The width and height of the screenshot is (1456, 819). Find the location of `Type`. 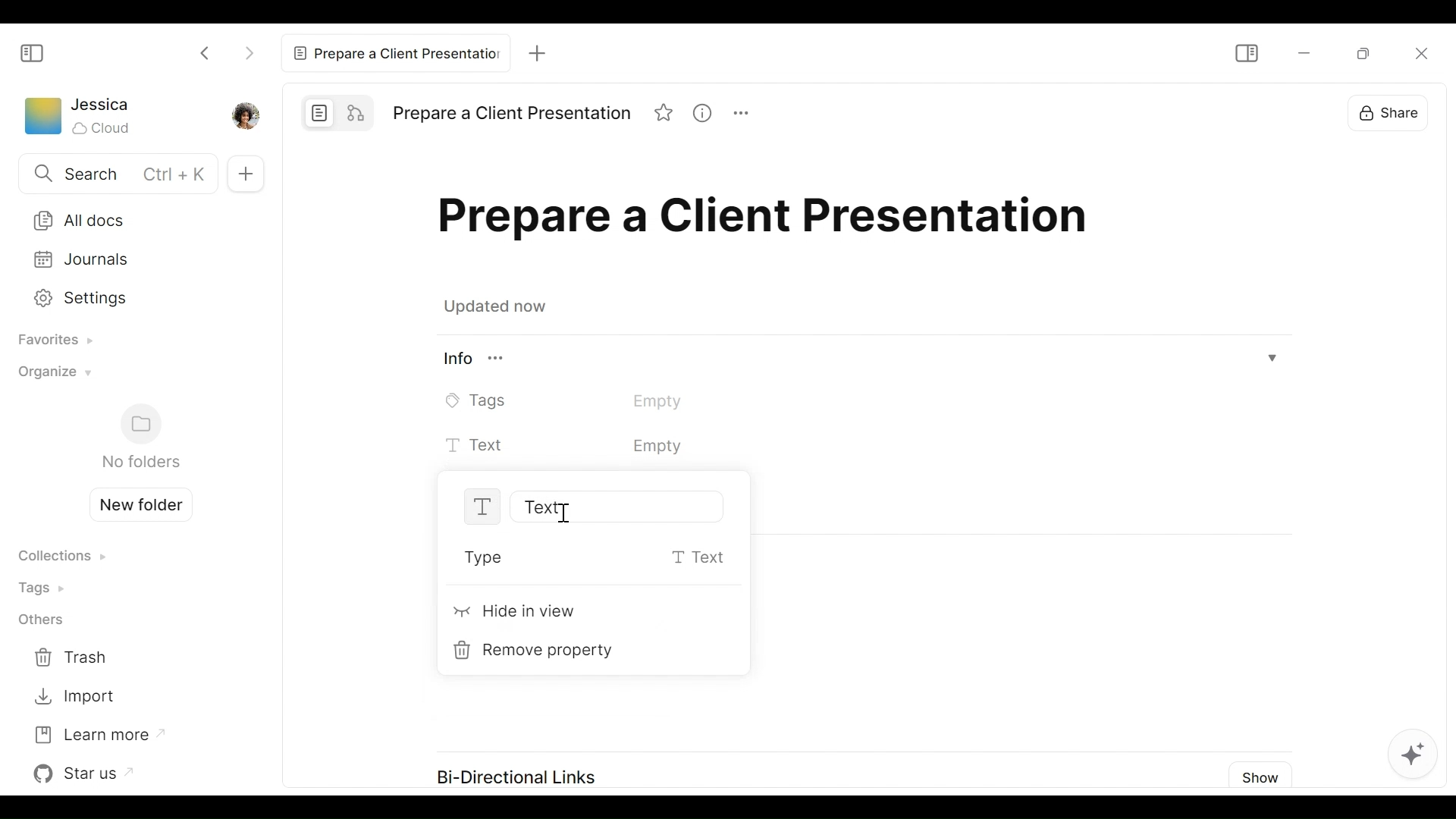

Type is located at coordinates (584, 559).